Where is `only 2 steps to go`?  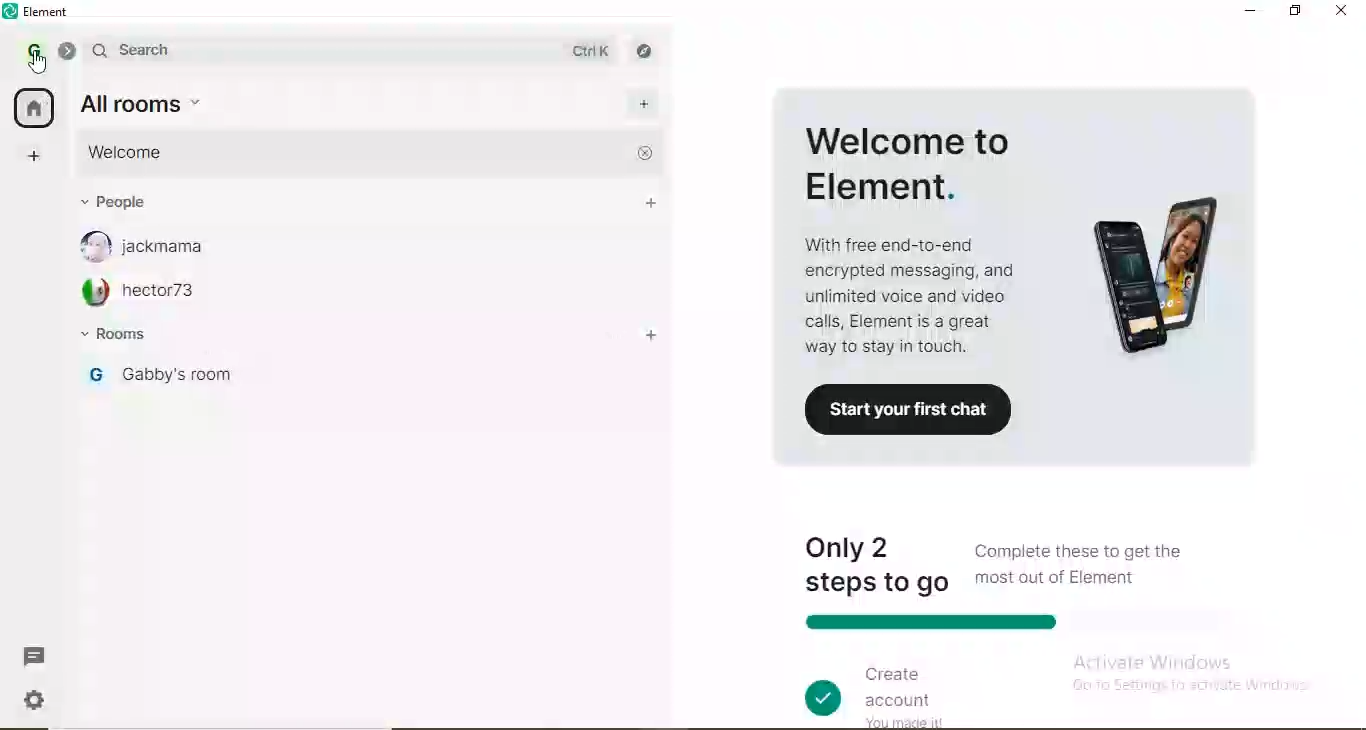
only 2 steps to go is located at coordinates (1019, 581).